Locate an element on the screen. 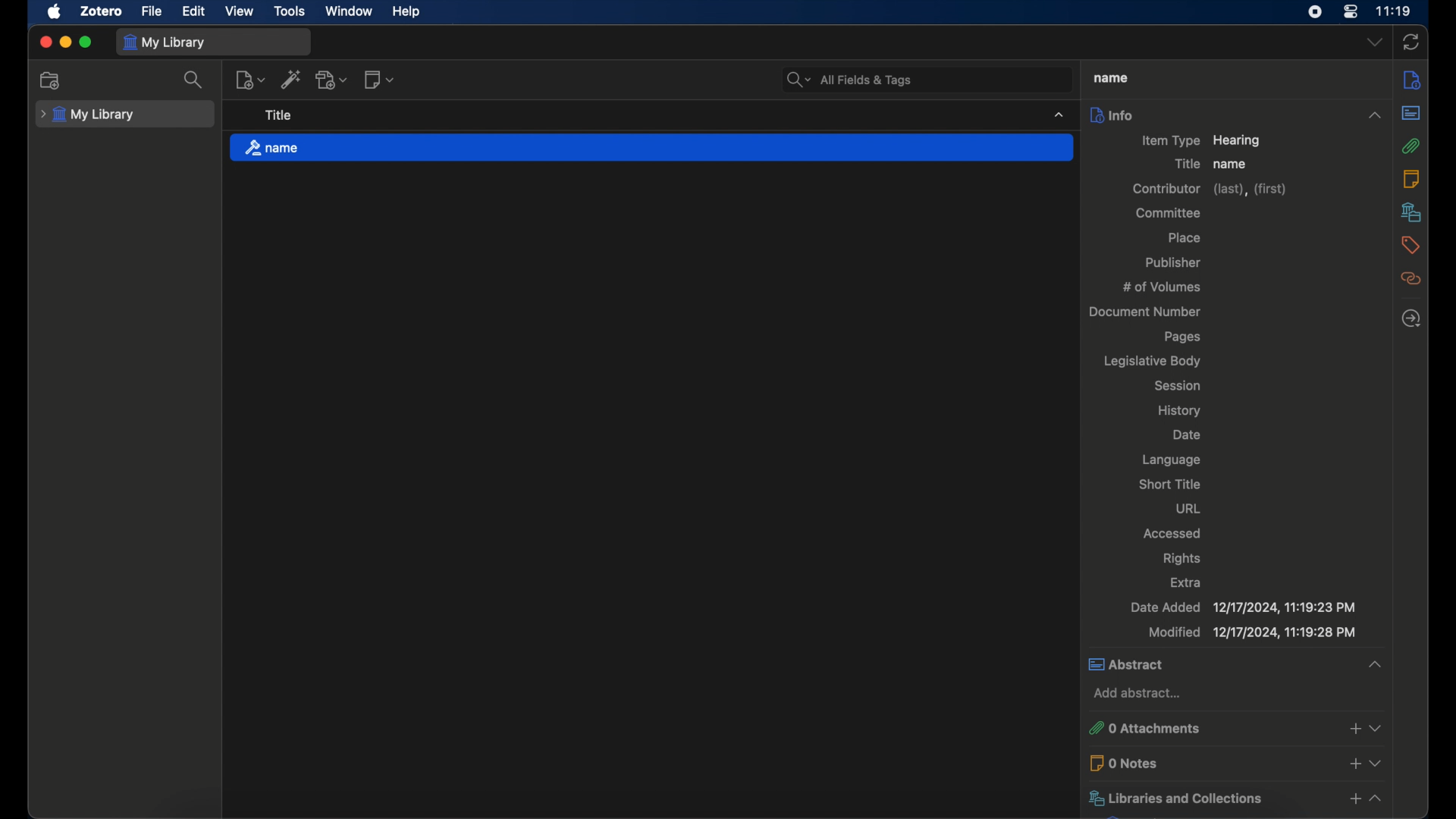 This screenshot has height=819, width=1456. abstract is located at coordinates (1236, 665).